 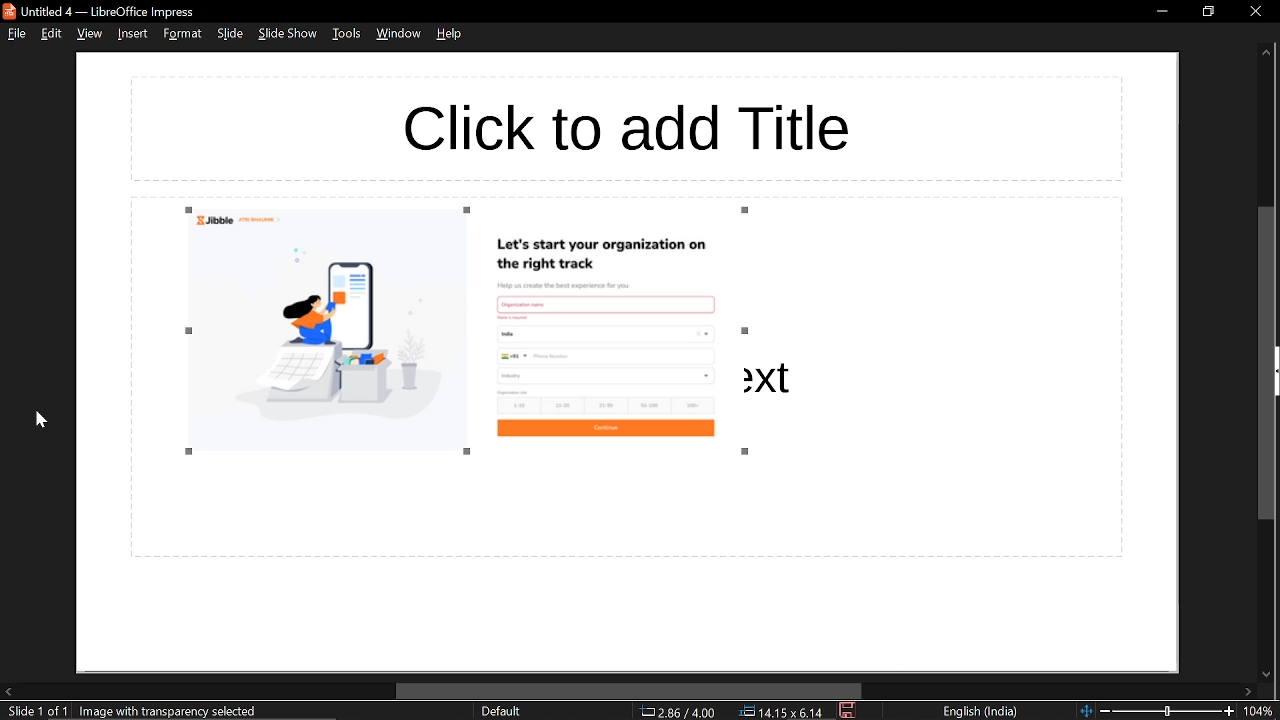 I want to click on restore down, so click(x=1207, y=11).